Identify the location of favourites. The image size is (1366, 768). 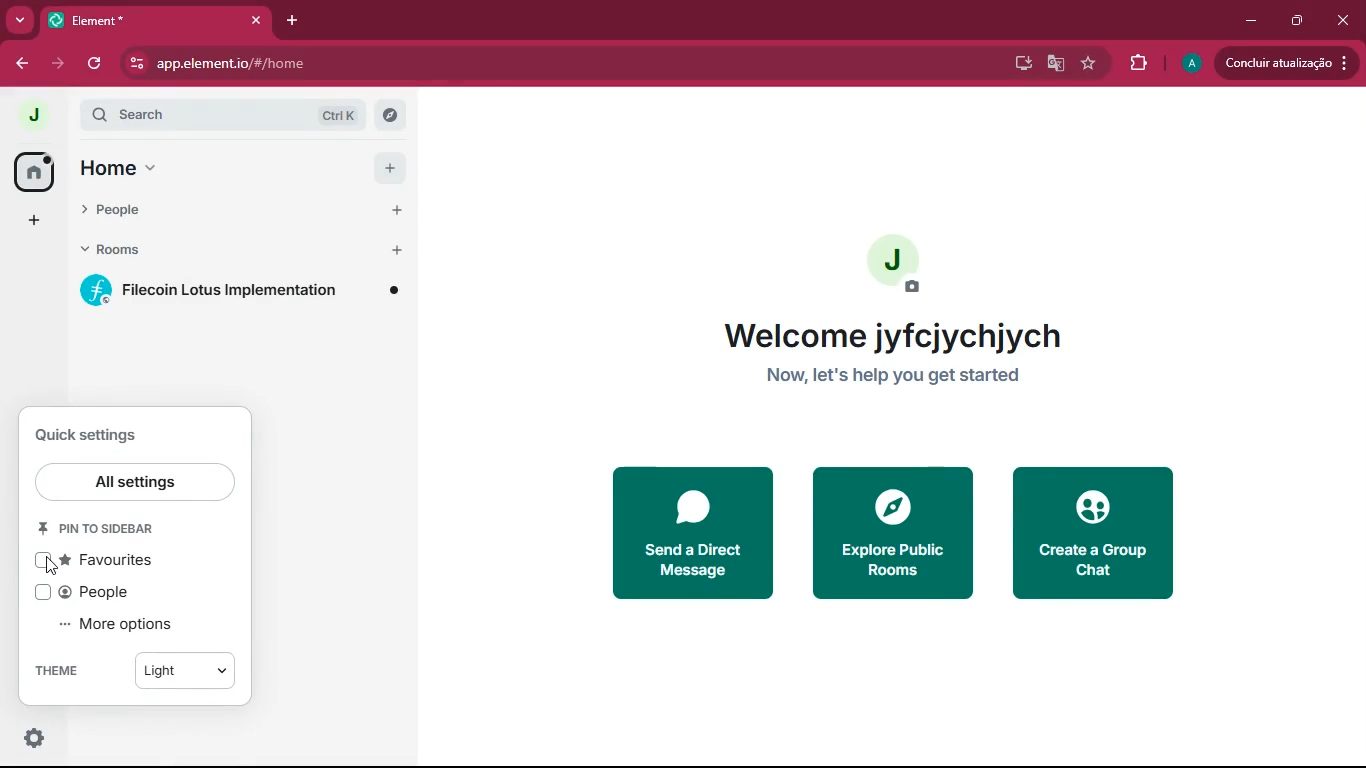
(108, 564).